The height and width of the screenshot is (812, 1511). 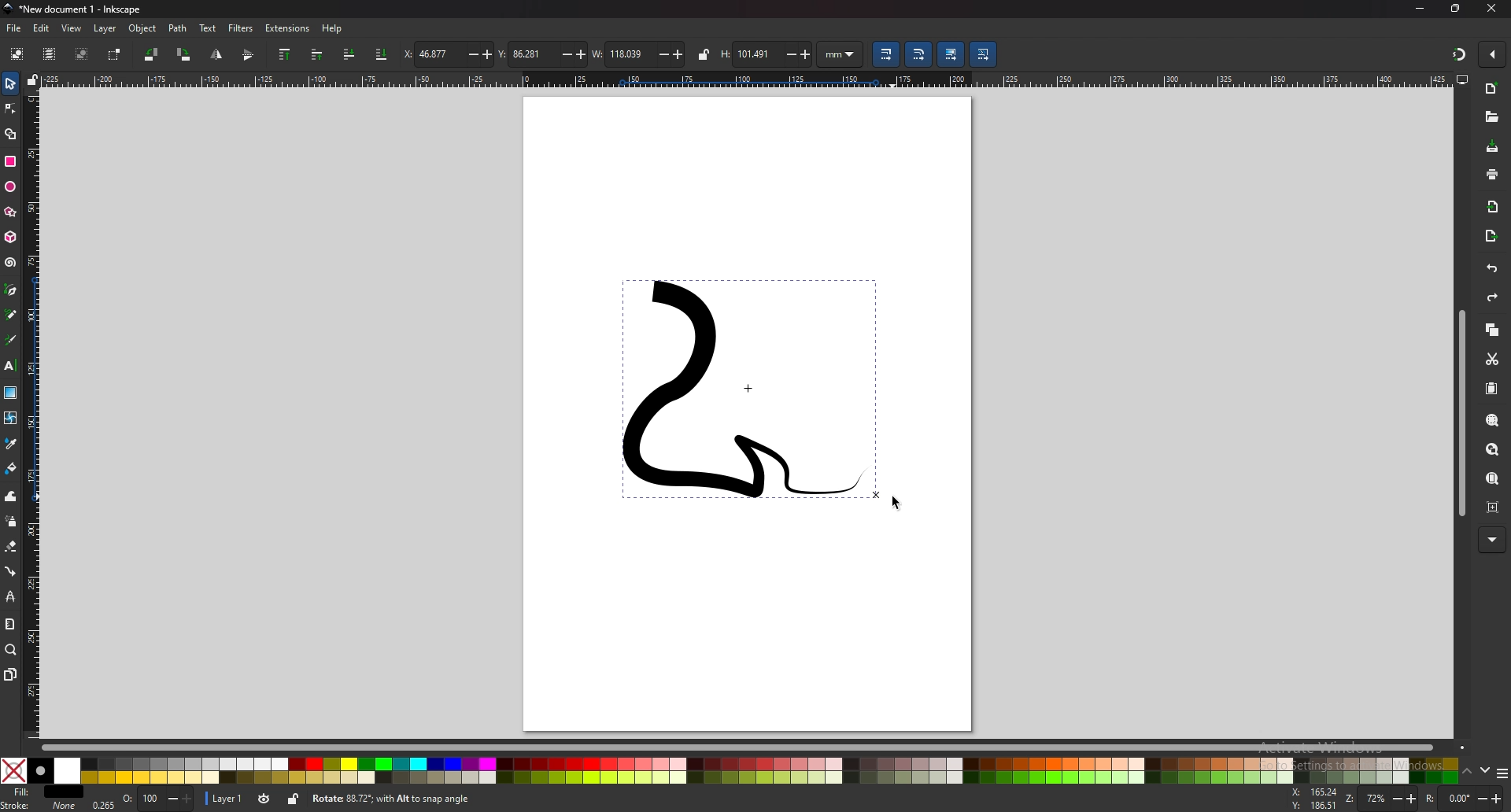 What do you see at coordinates (286, 54) in the screenshot?
I see `raise selection to top` at bounding box center [286, 54].